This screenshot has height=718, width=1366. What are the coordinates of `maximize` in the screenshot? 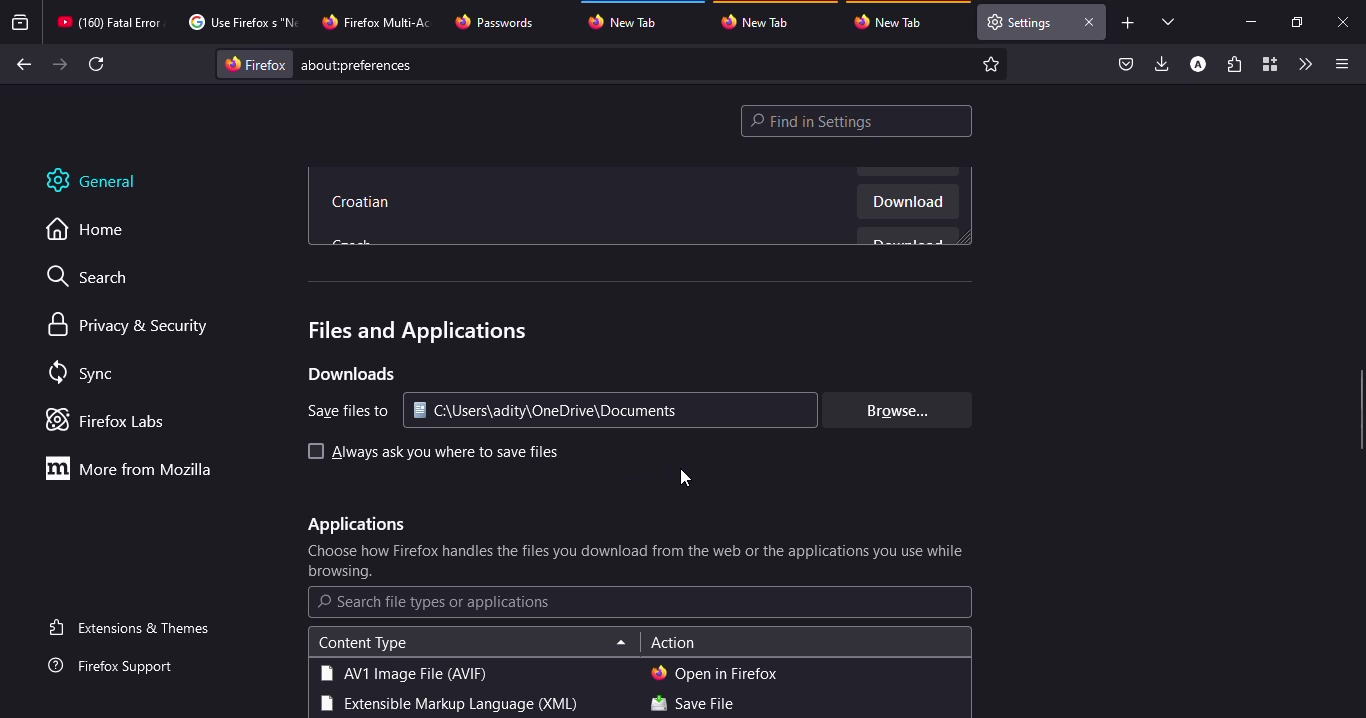 It's located at (1295, 22).